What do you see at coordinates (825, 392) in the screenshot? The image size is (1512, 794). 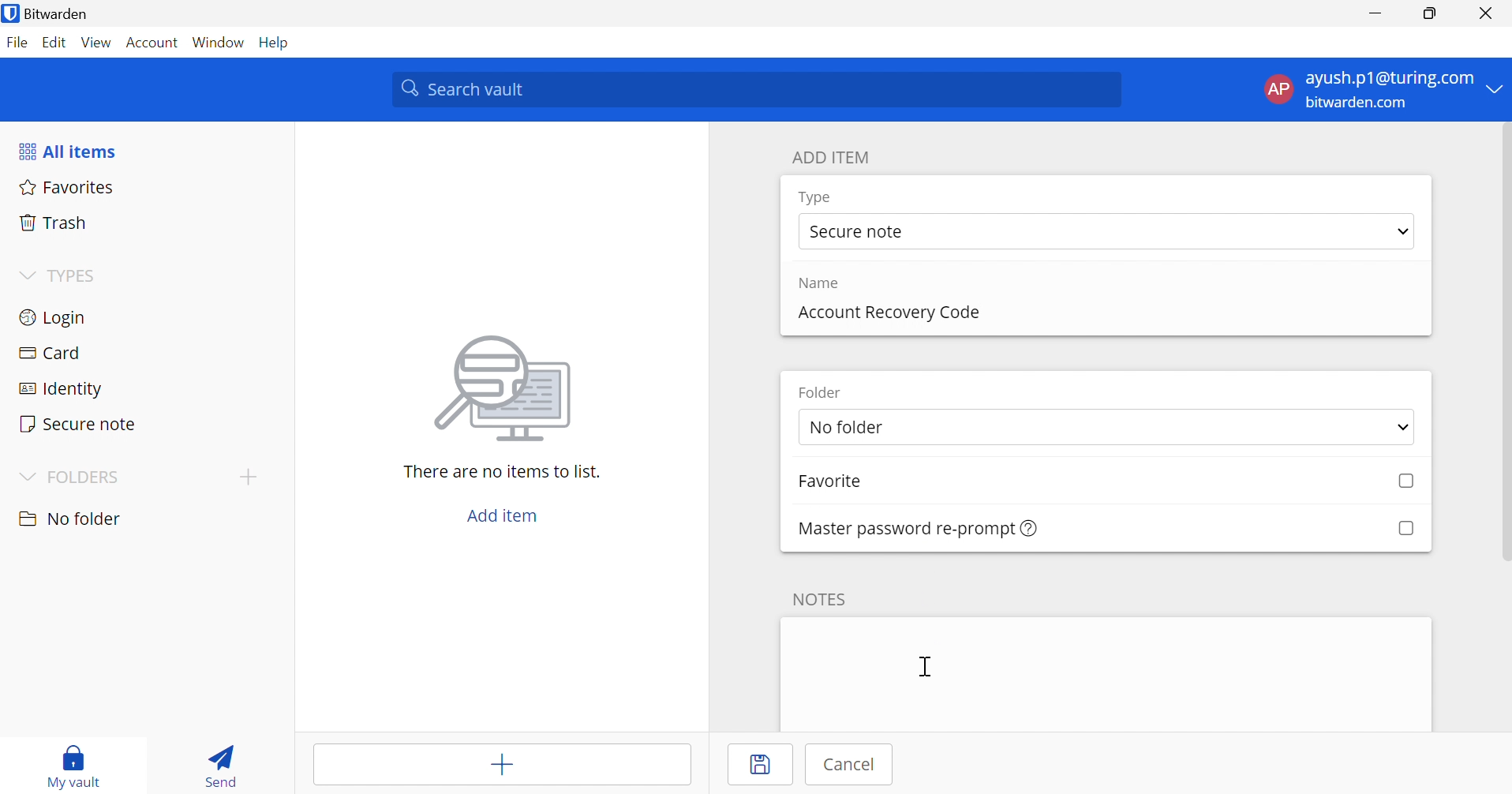 I see `Folder` at bounding box center [825, 392].